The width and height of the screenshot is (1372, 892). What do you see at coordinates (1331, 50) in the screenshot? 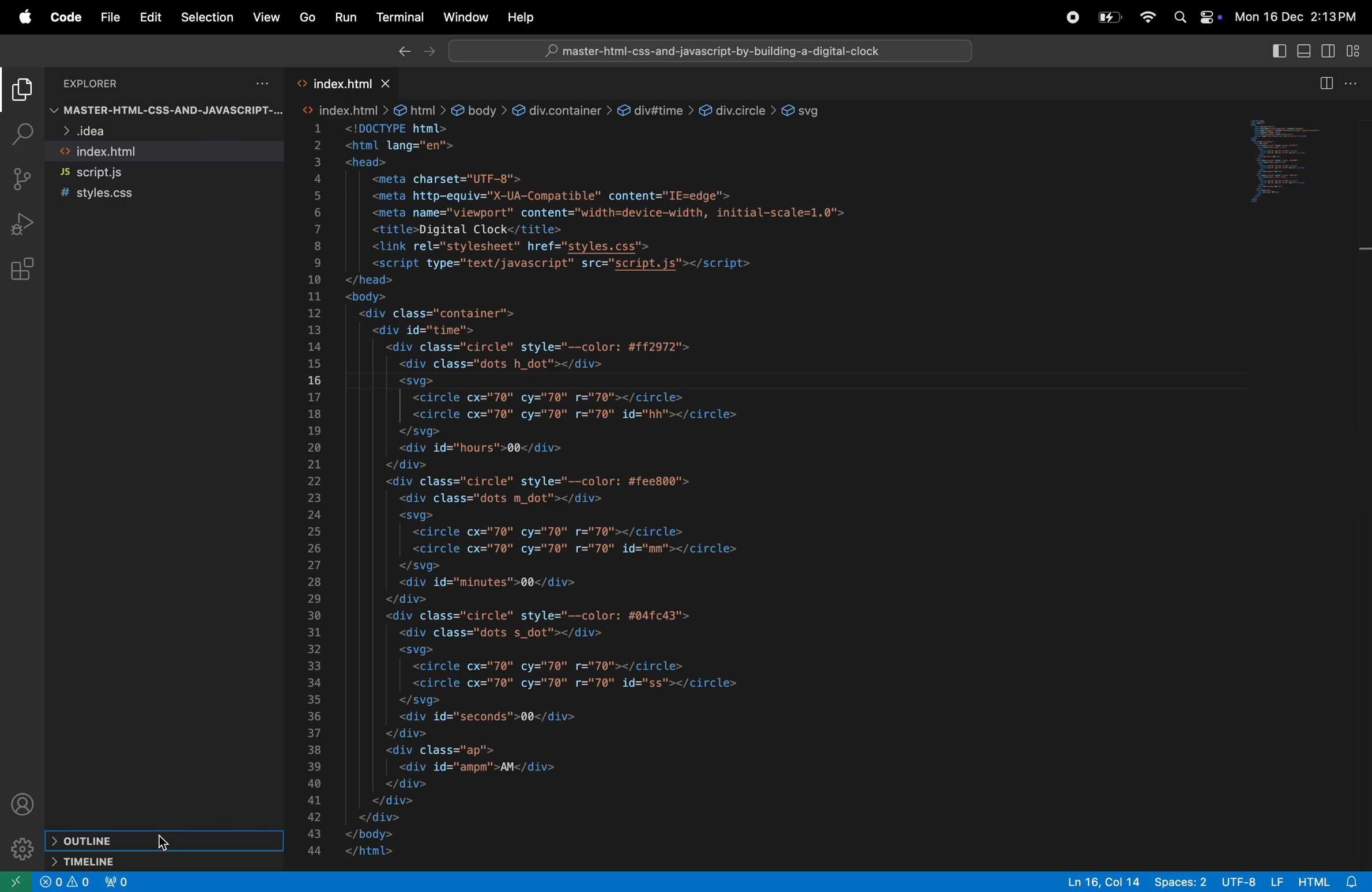
I see `toggle secondarside bar` at bounding box center [1331, 50].